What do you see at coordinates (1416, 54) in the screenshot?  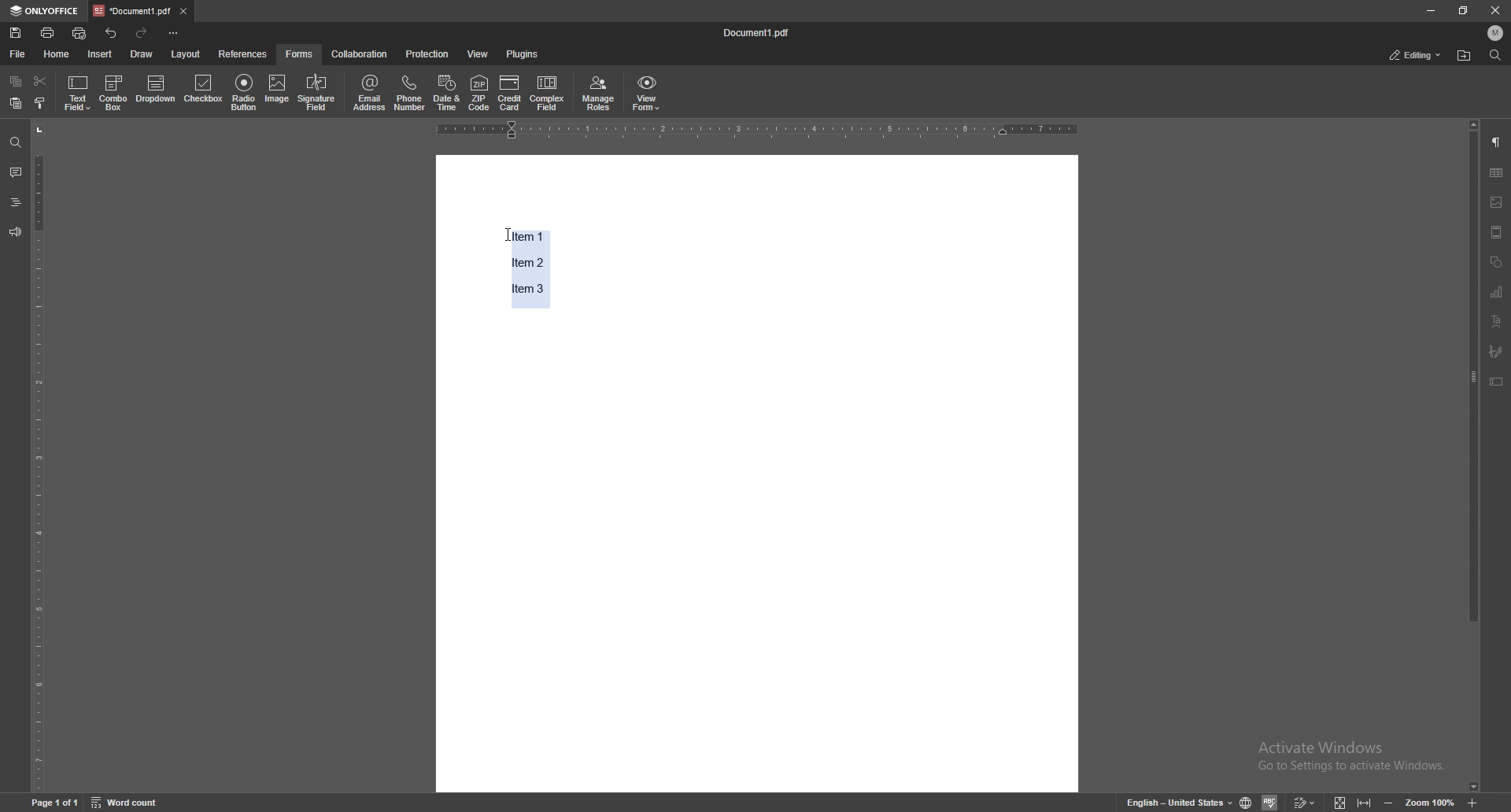 I see `status` at bounding box center [1416, 54].